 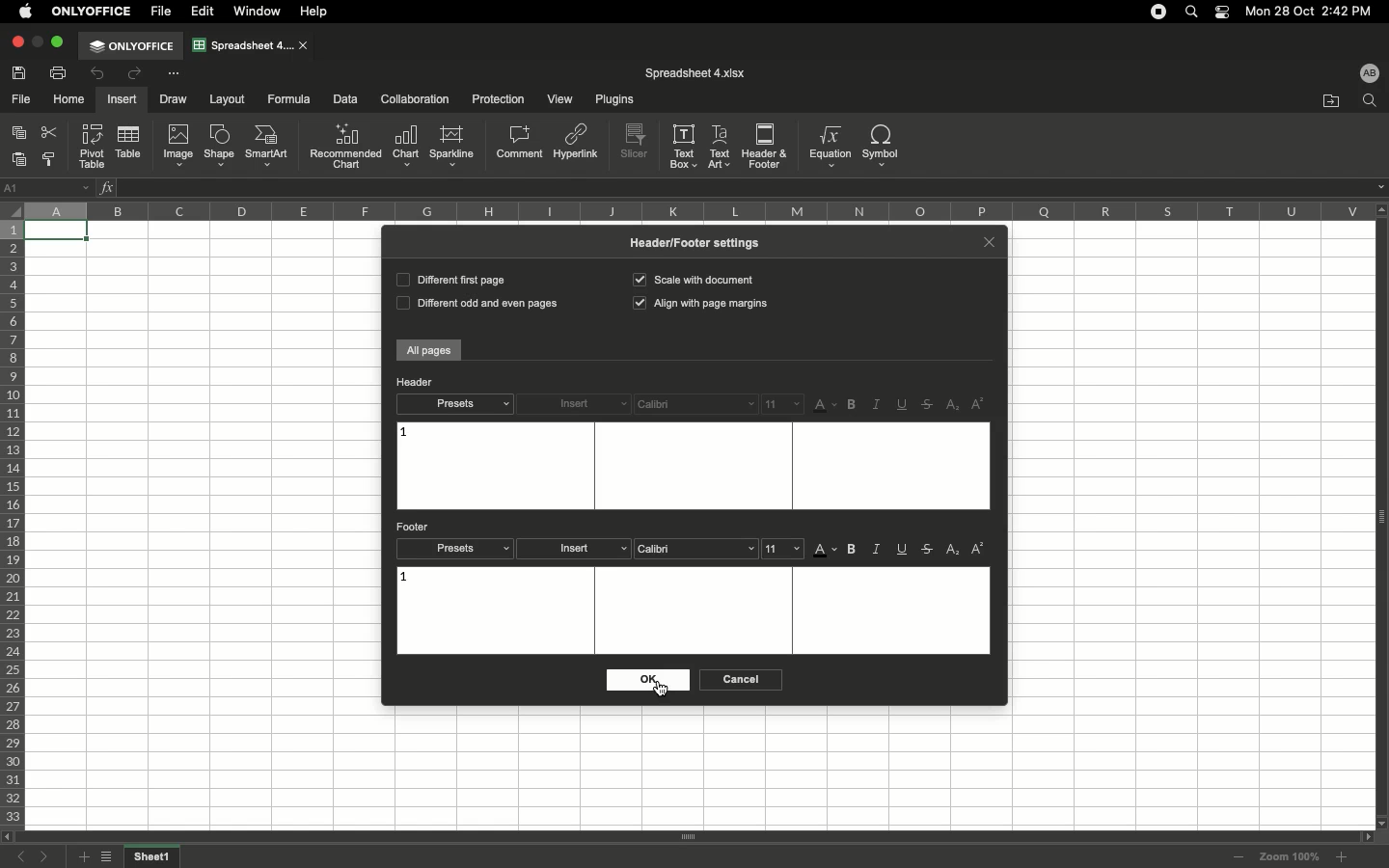 What do you see at coordinates (26, 11) in the screenshot?
I see `Apple logo` at bounding box center [26, 11].